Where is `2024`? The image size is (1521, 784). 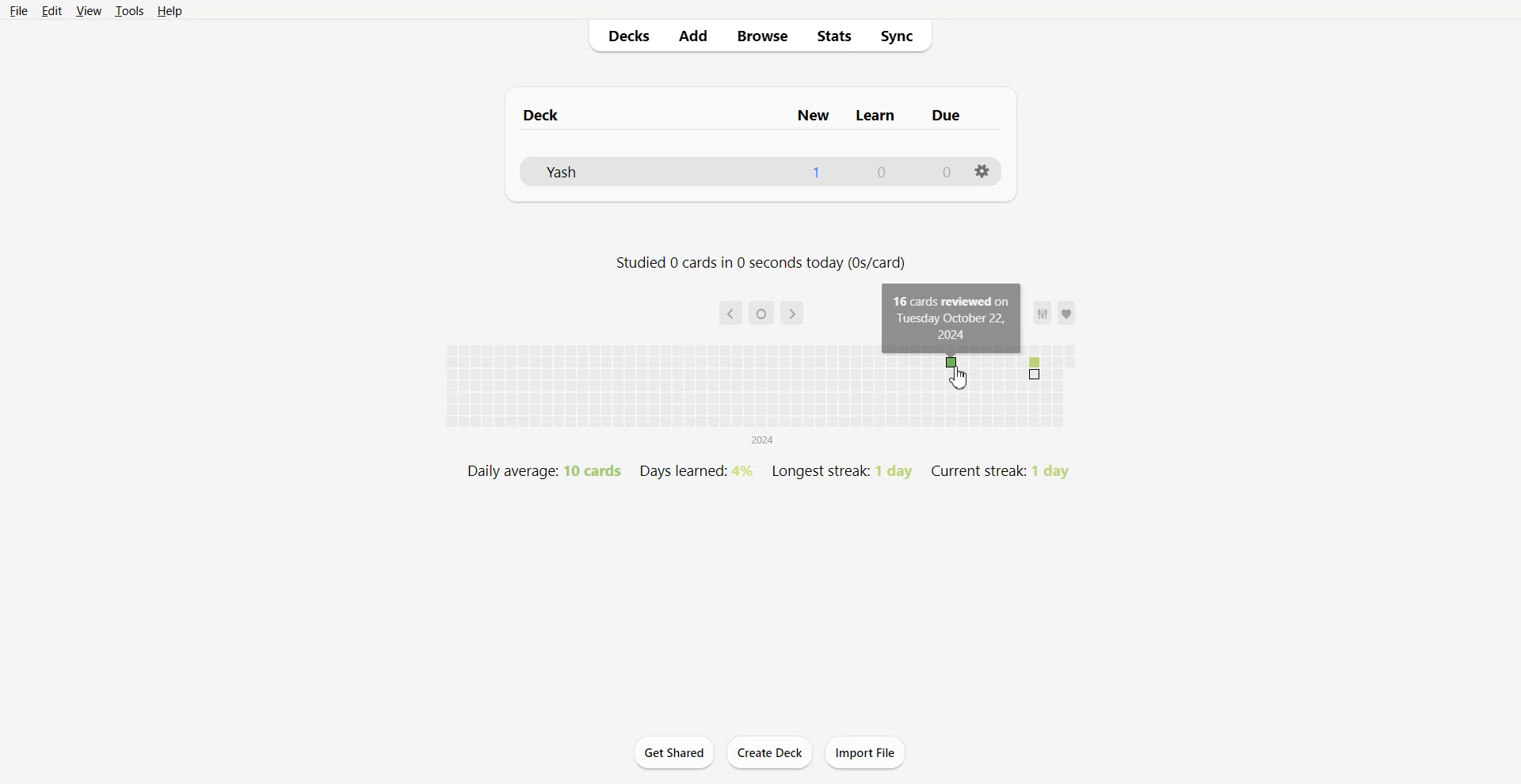 2024 is located at coordinates (762, 441).